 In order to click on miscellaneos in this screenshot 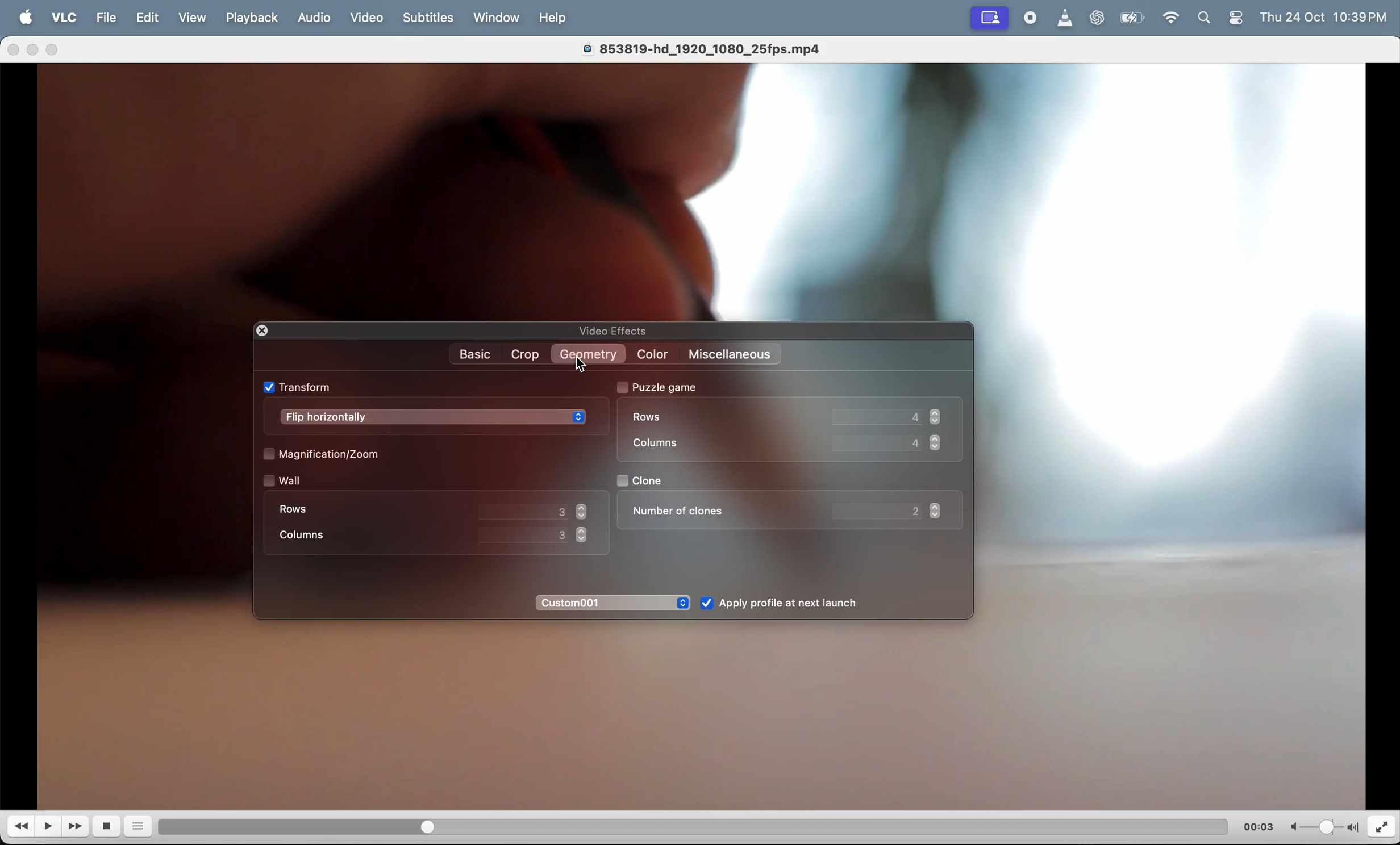, I will do `click(734, 355)`.